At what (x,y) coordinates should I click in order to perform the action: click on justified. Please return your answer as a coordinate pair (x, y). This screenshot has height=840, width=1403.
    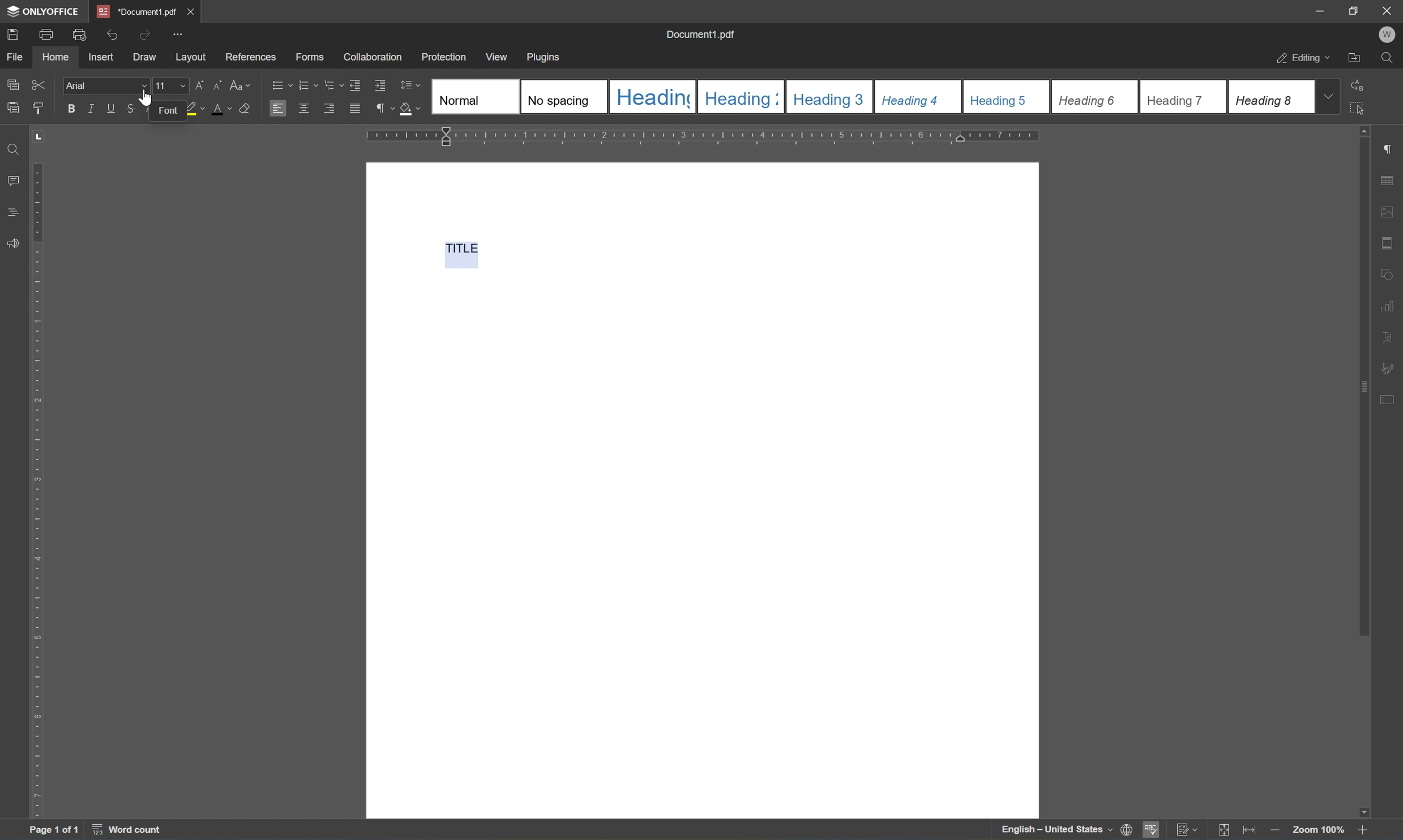
    Looking at the image, I should click on (355, 108).